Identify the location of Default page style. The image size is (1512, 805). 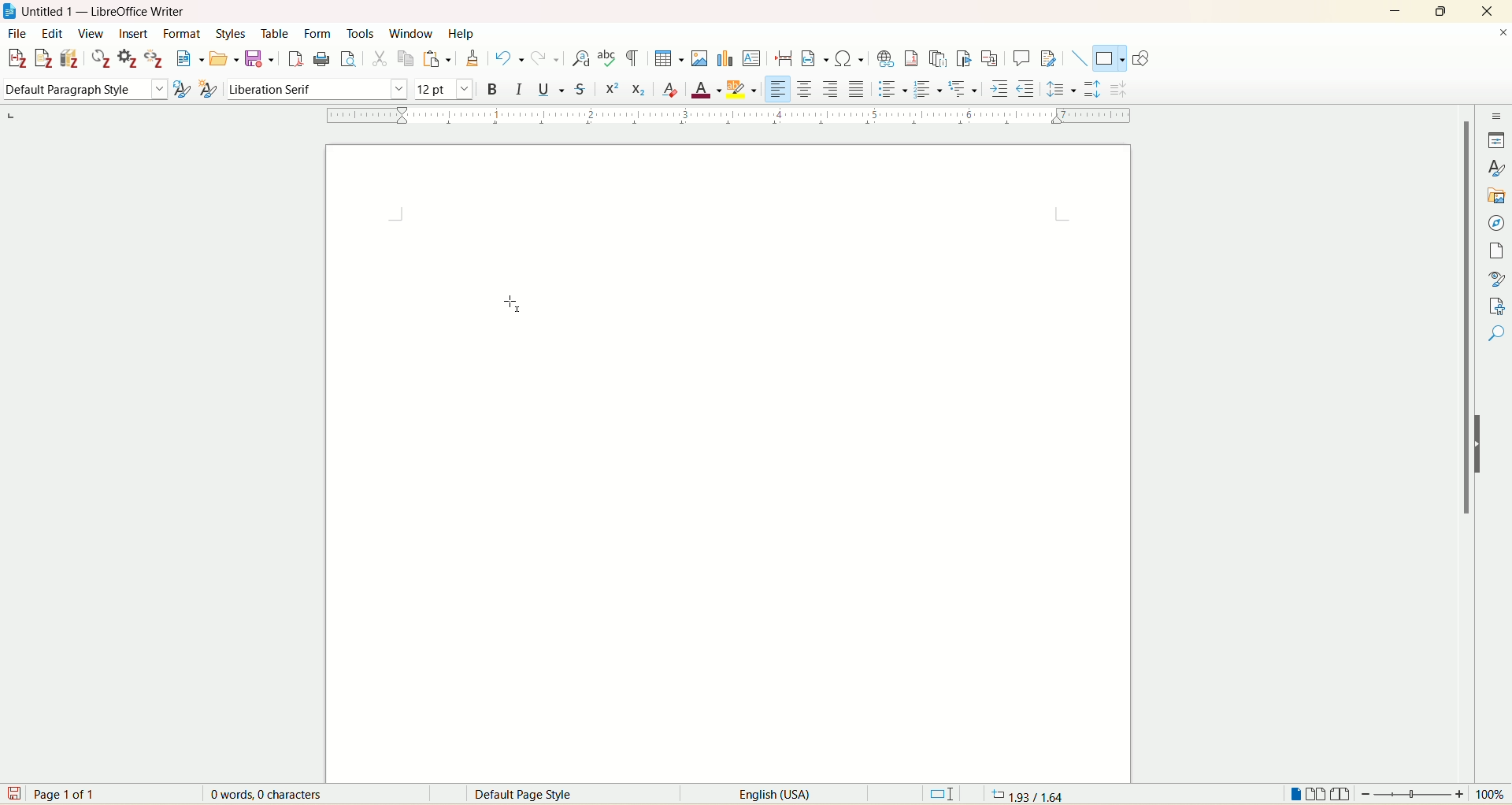
(535, 795).